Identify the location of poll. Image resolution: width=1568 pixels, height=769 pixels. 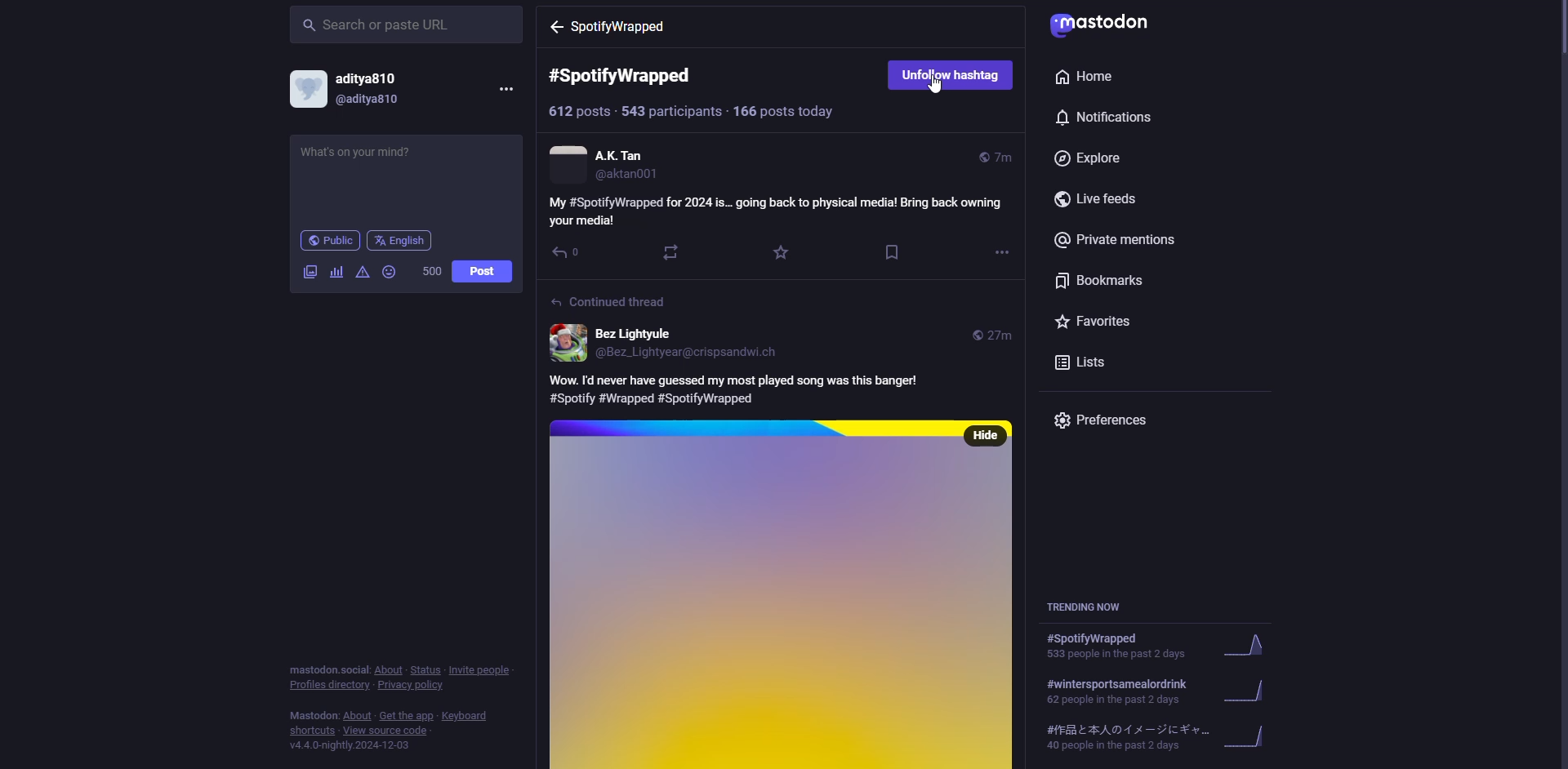
(336, 272).